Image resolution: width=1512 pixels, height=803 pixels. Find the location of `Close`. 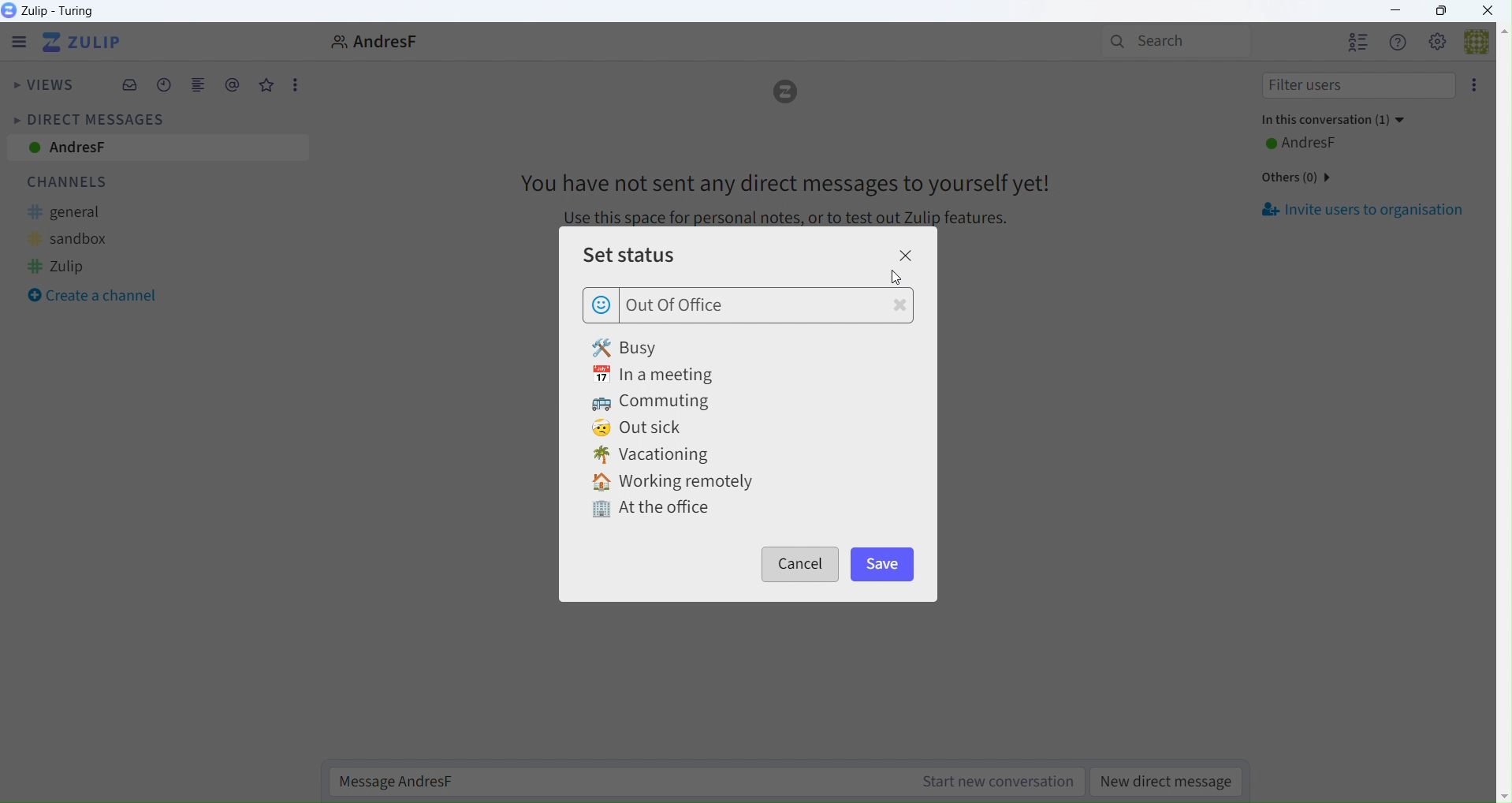

Close is located at coordinates (911, 255).